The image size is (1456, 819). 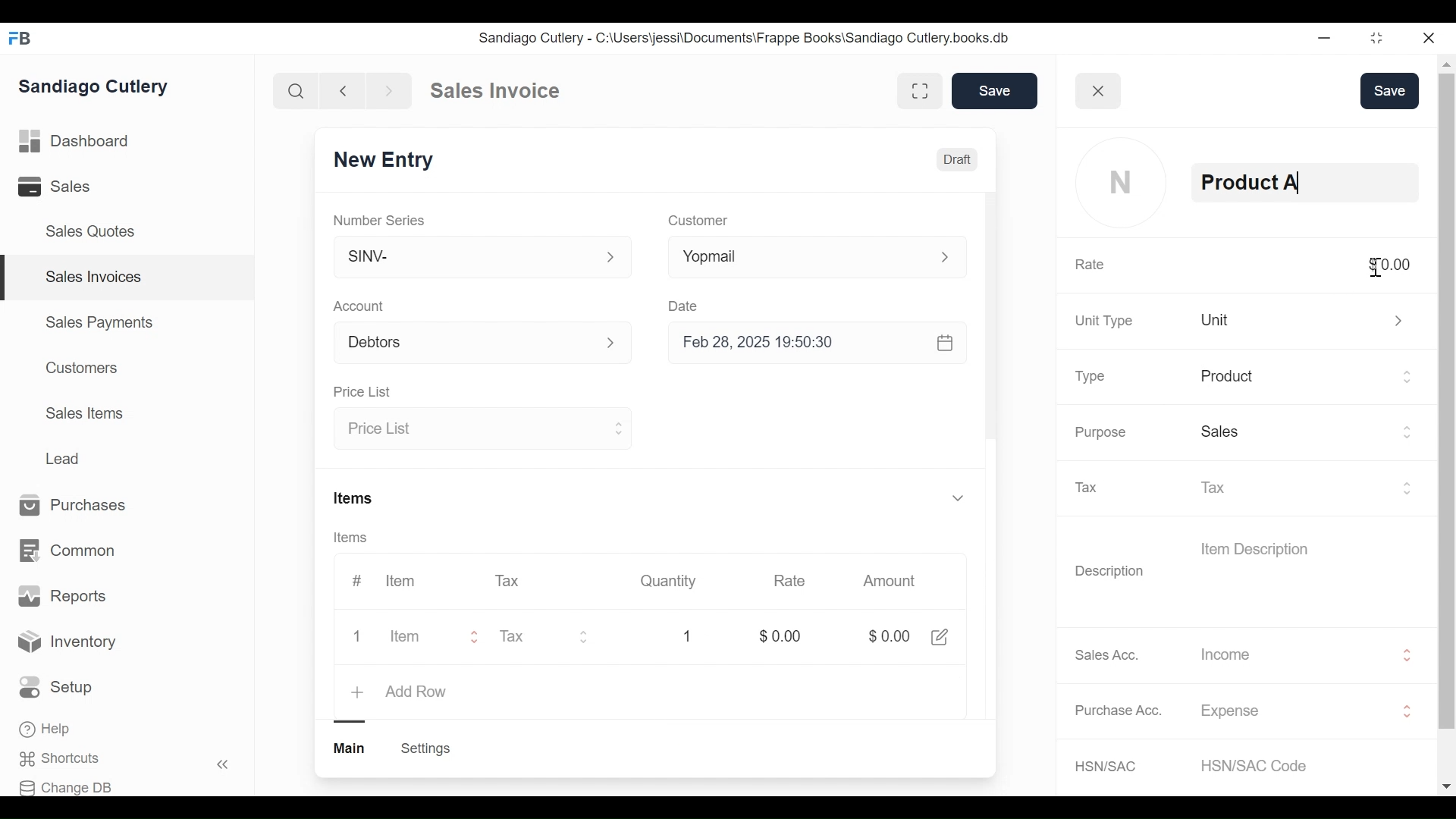 I want to click on Sales Invoices, so click(x=94, y=278).